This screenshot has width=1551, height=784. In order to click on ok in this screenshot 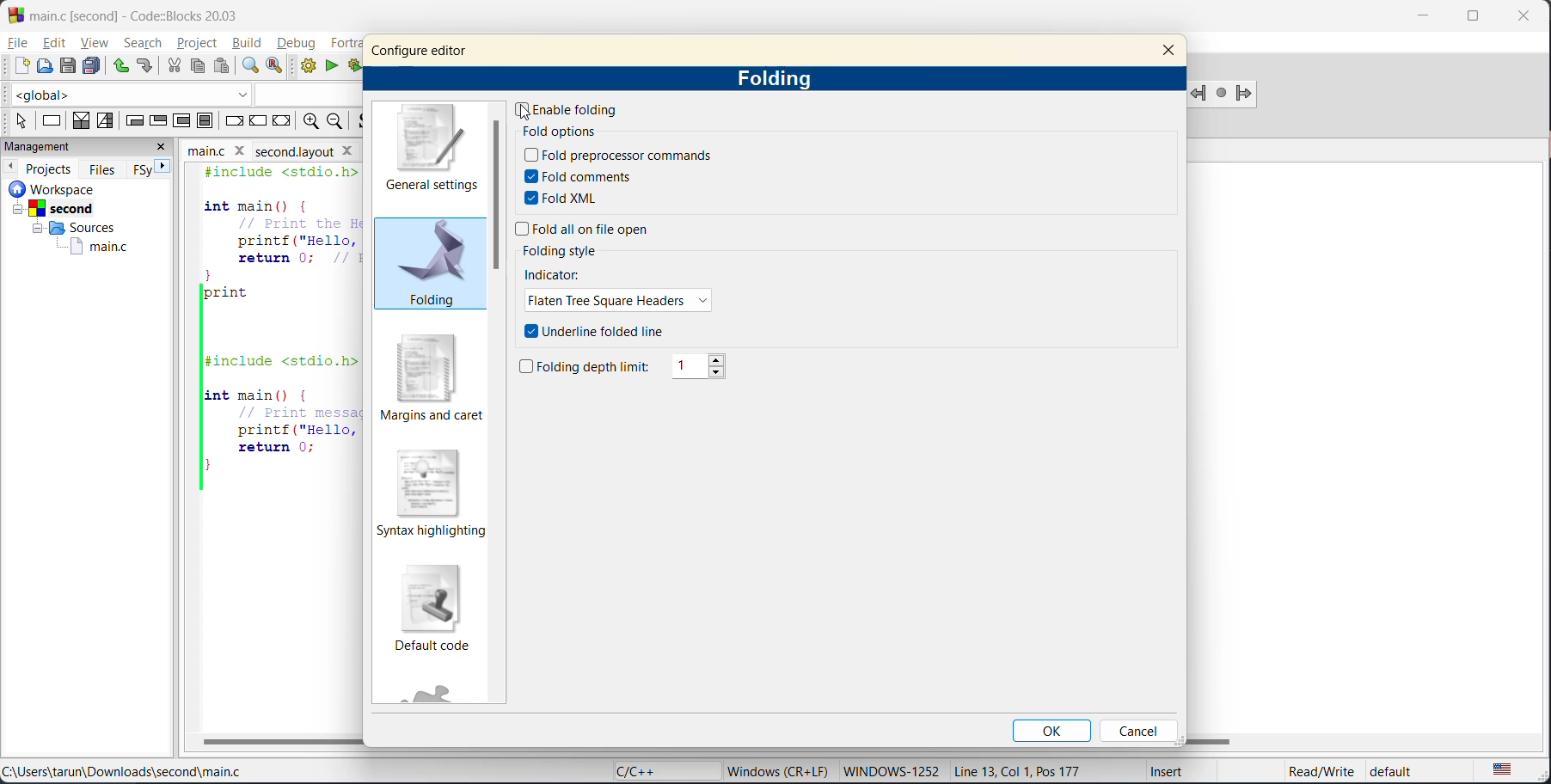, I will do `click(1051, 732)`.